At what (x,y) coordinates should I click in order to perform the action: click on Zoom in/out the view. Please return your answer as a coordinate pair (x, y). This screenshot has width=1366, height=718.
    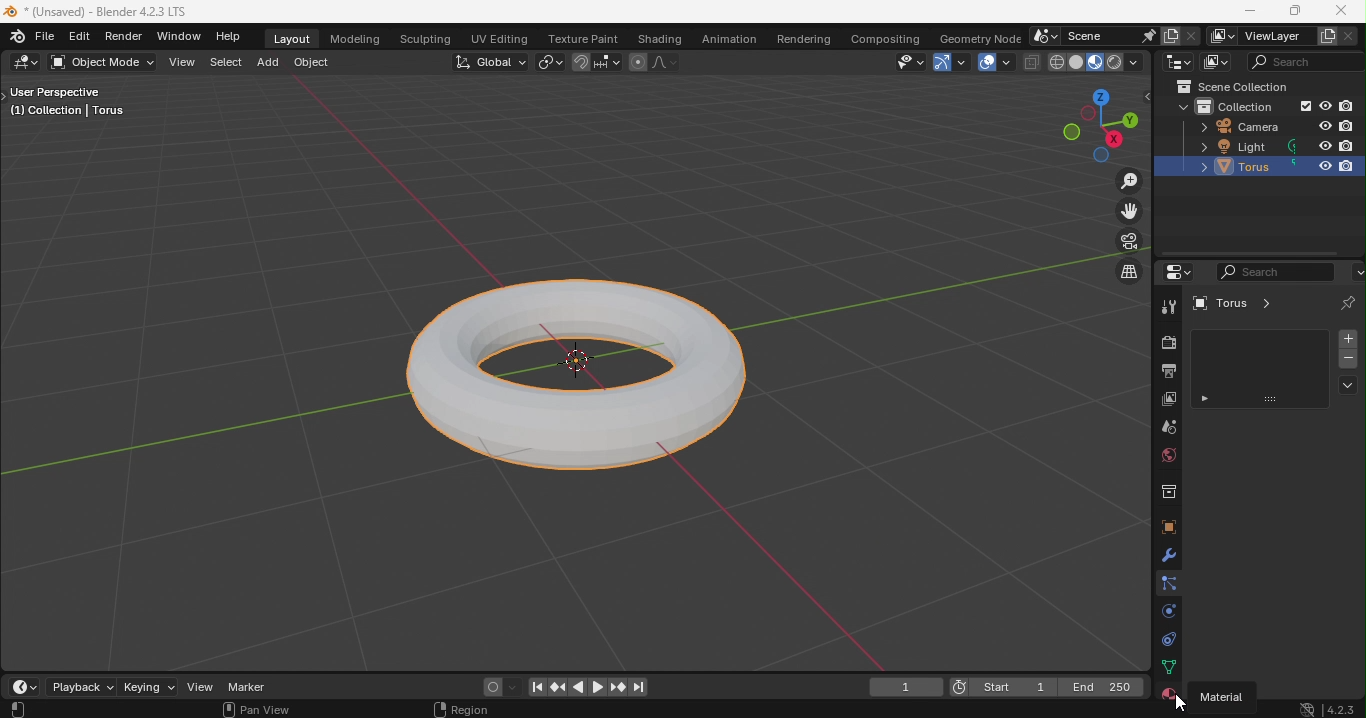
    Looking at the image, I should click on (1131, 179).